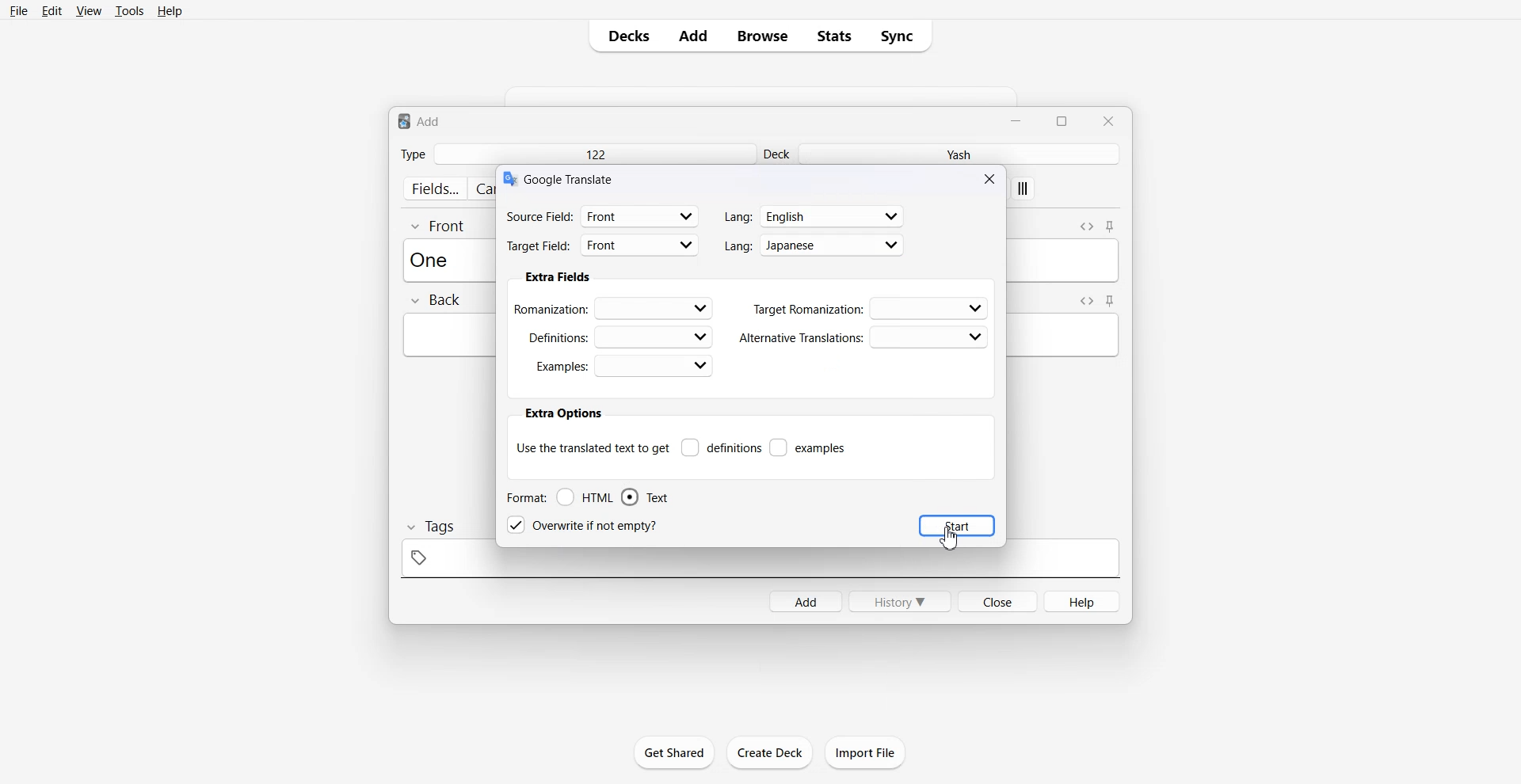 This screenshot has width=1521, height=784. What do you see at coordinates (815, 216) in the screenshot?
I see `Language` at bounding box center [815, 216].